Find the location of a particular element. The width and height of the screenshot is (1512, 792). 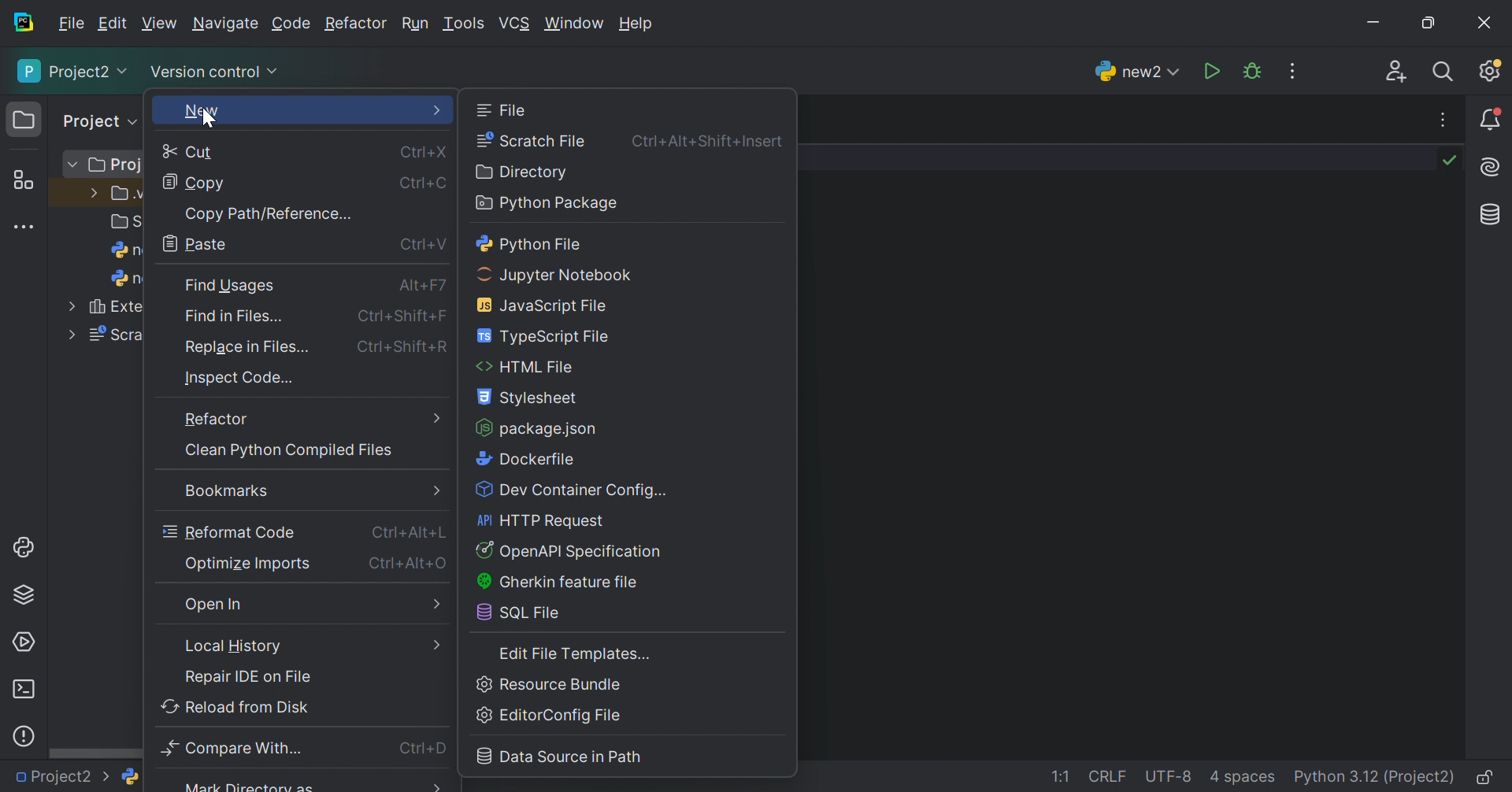

Ghekin eature file is located at coordinates (565, 583).